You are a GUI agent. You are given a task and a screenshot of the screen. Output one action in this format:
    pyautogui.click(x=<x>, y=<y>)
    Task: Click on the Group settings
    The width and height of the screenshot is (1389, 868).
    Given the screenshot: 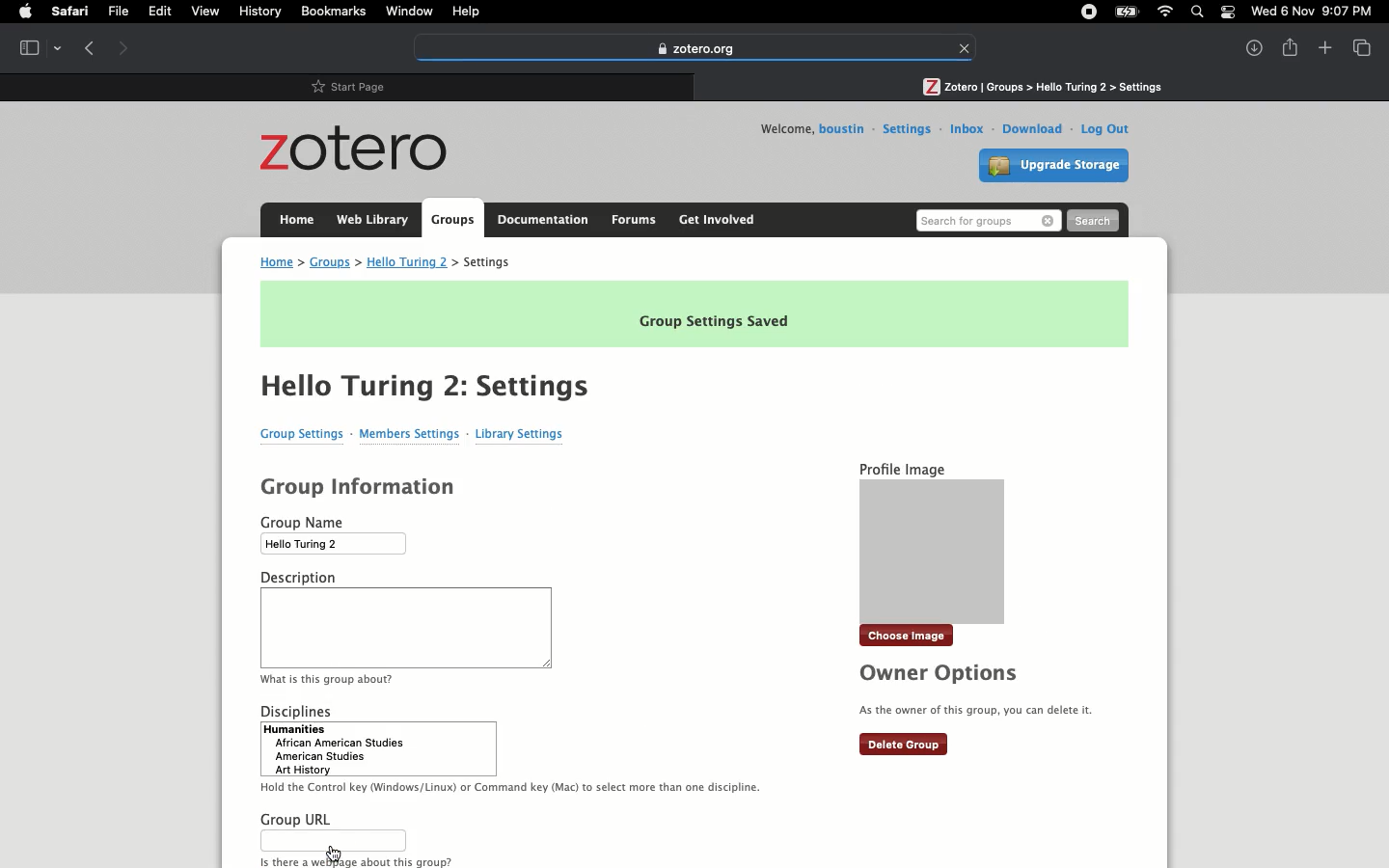 What is the action you would take?
    pyautogui.click(x=303, y=434)
    